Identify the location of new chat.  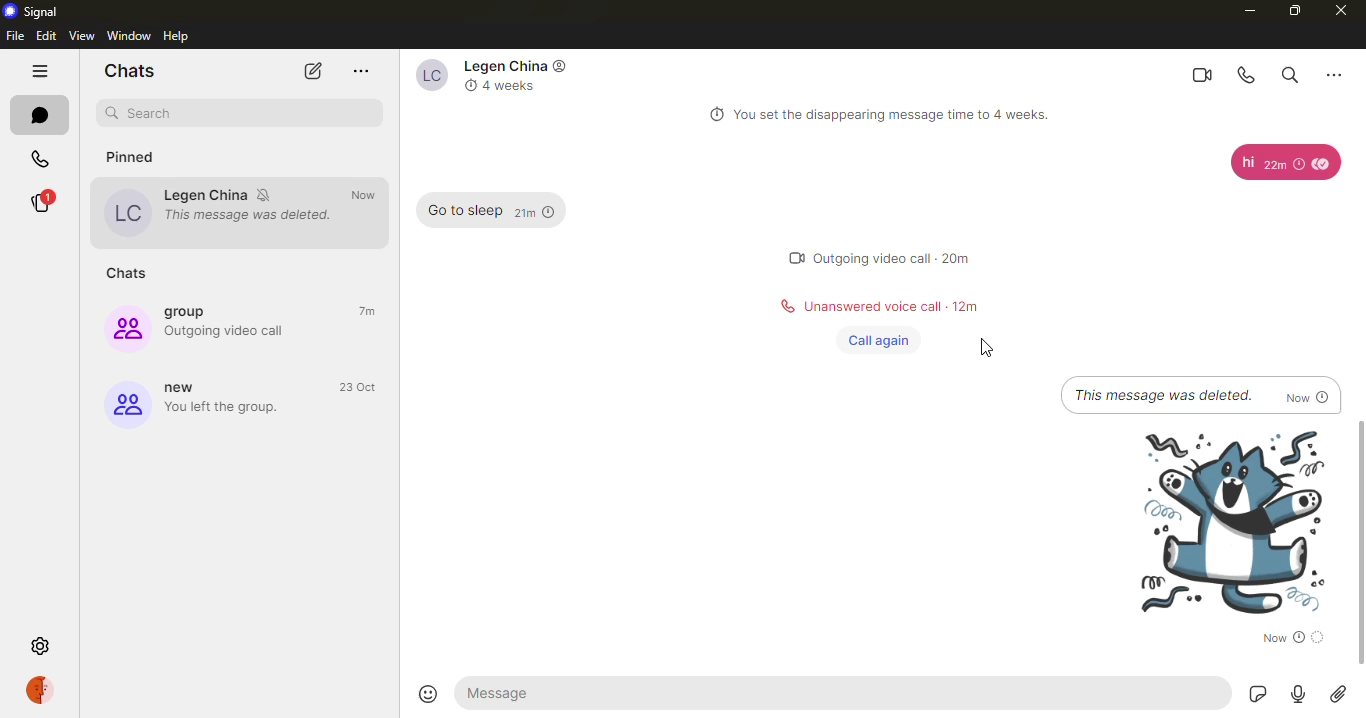
(314, 71).